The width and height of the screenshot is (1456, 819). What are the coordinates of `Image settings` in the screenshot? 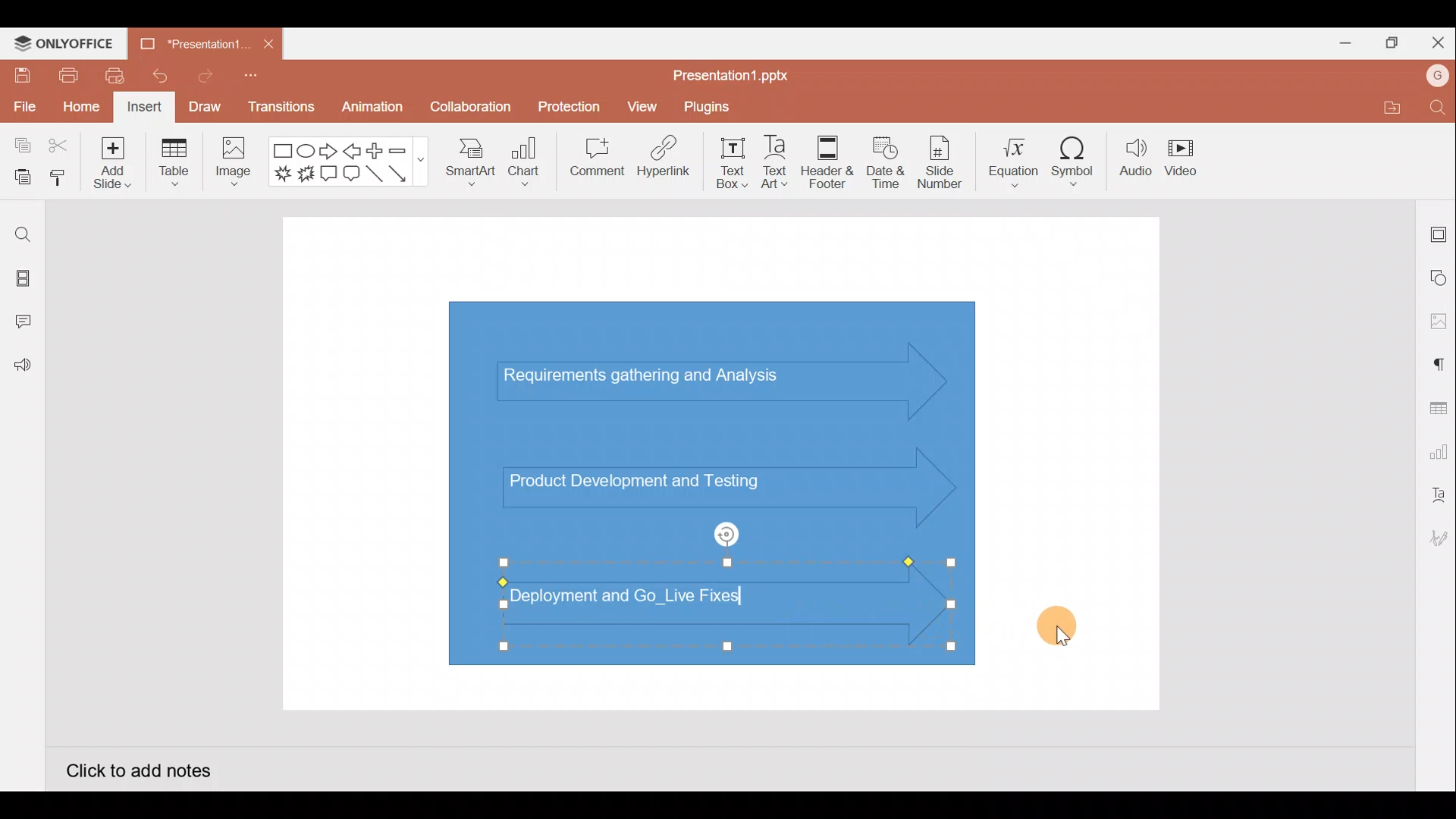 It's located at (1439, 322).